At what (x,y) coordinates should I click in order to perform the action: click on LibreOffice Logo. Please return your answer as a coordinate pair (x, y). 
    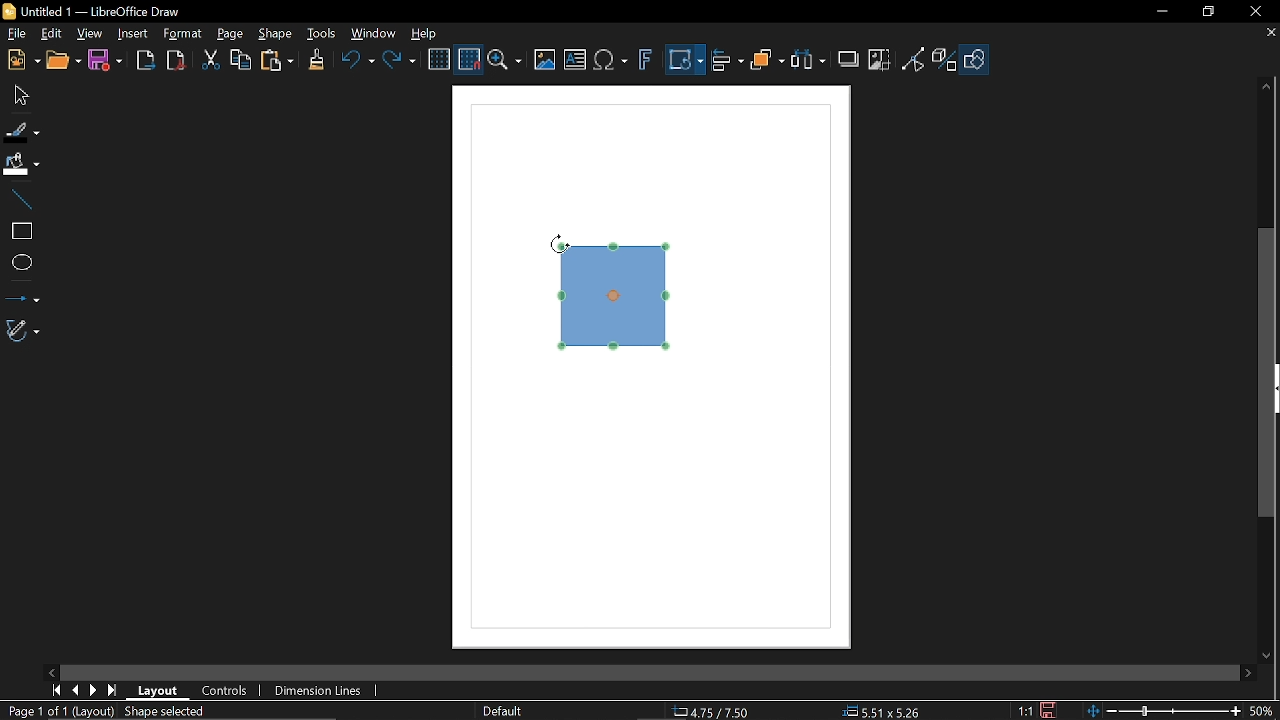
    Looking at the image, I should click on (9, 12).